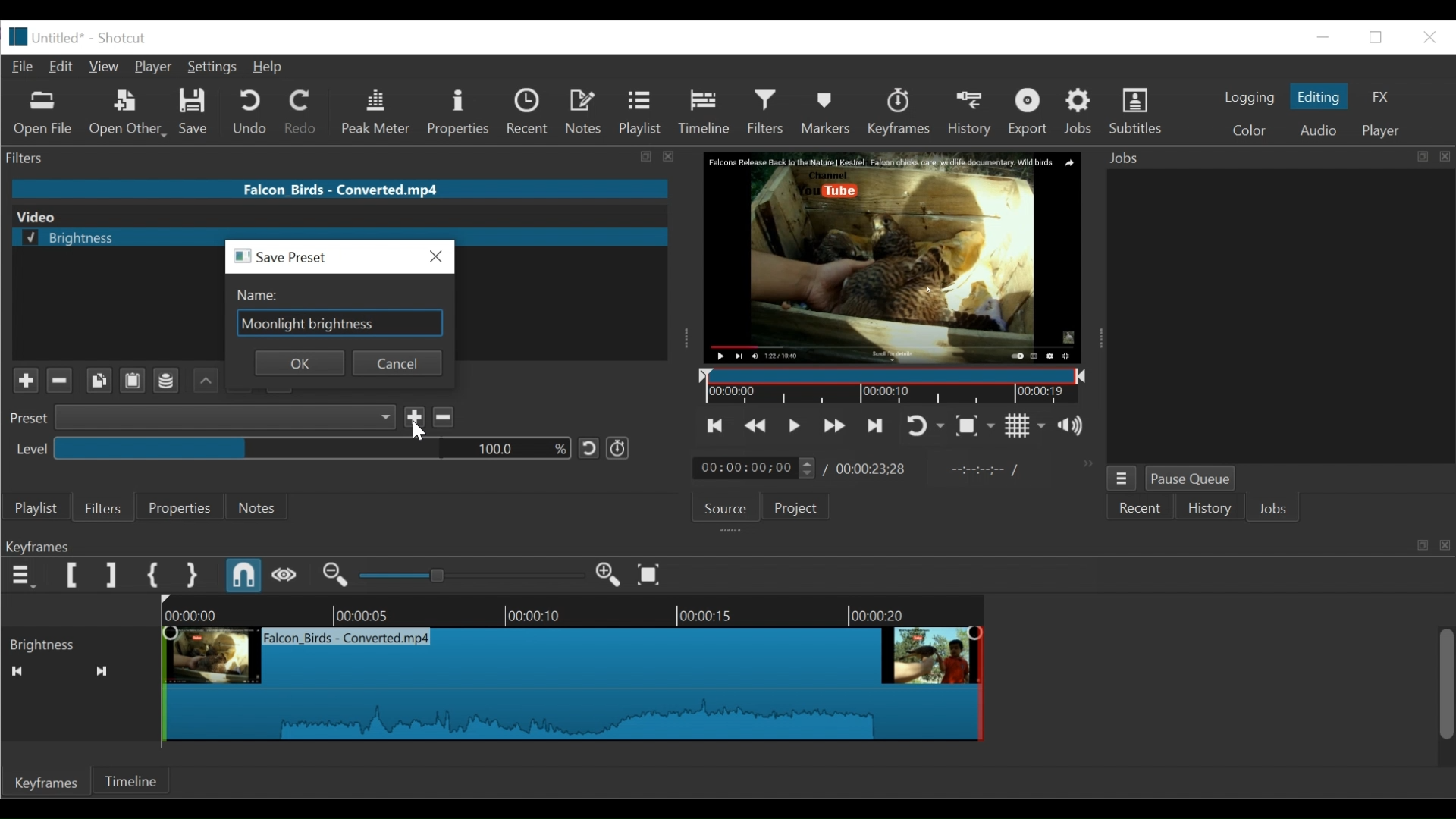  Describe the element at coordinates (23, 576) in the screenshot. I see `Keyframe menu` at that location.